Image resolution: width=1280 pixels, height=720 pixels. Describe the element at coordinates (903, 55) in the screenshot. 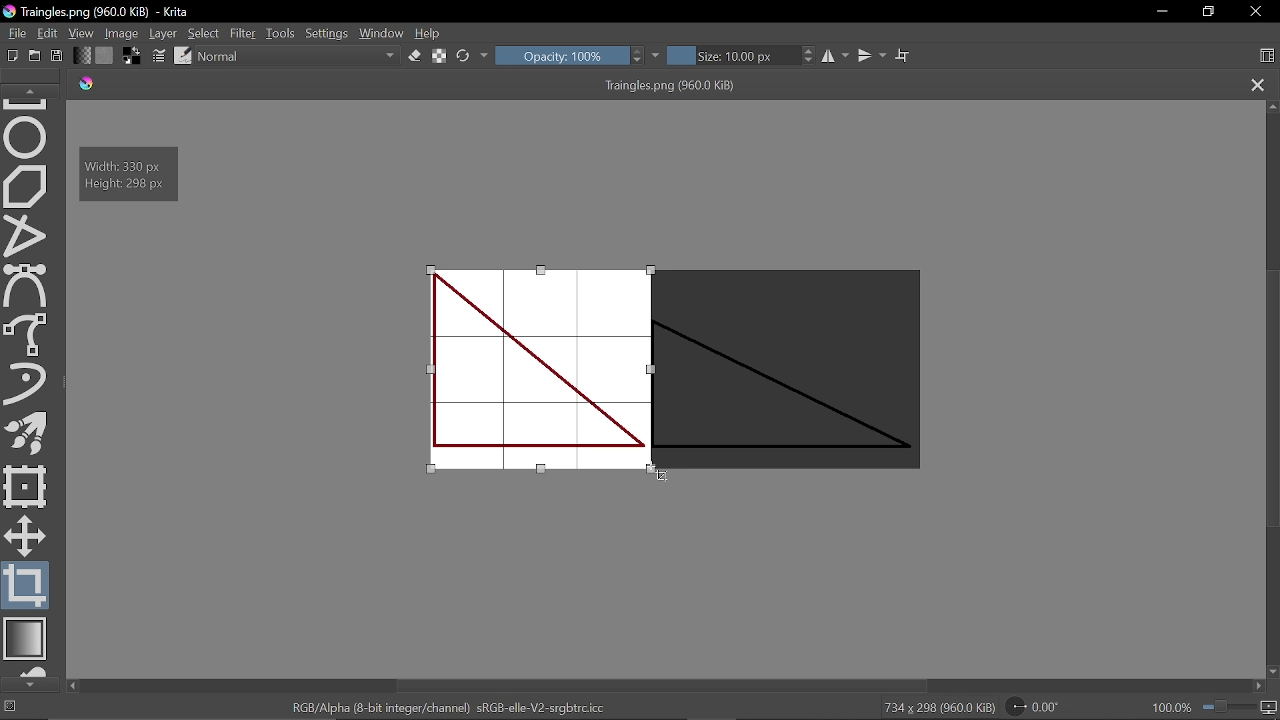

I see `Wrap text tool` at that location.